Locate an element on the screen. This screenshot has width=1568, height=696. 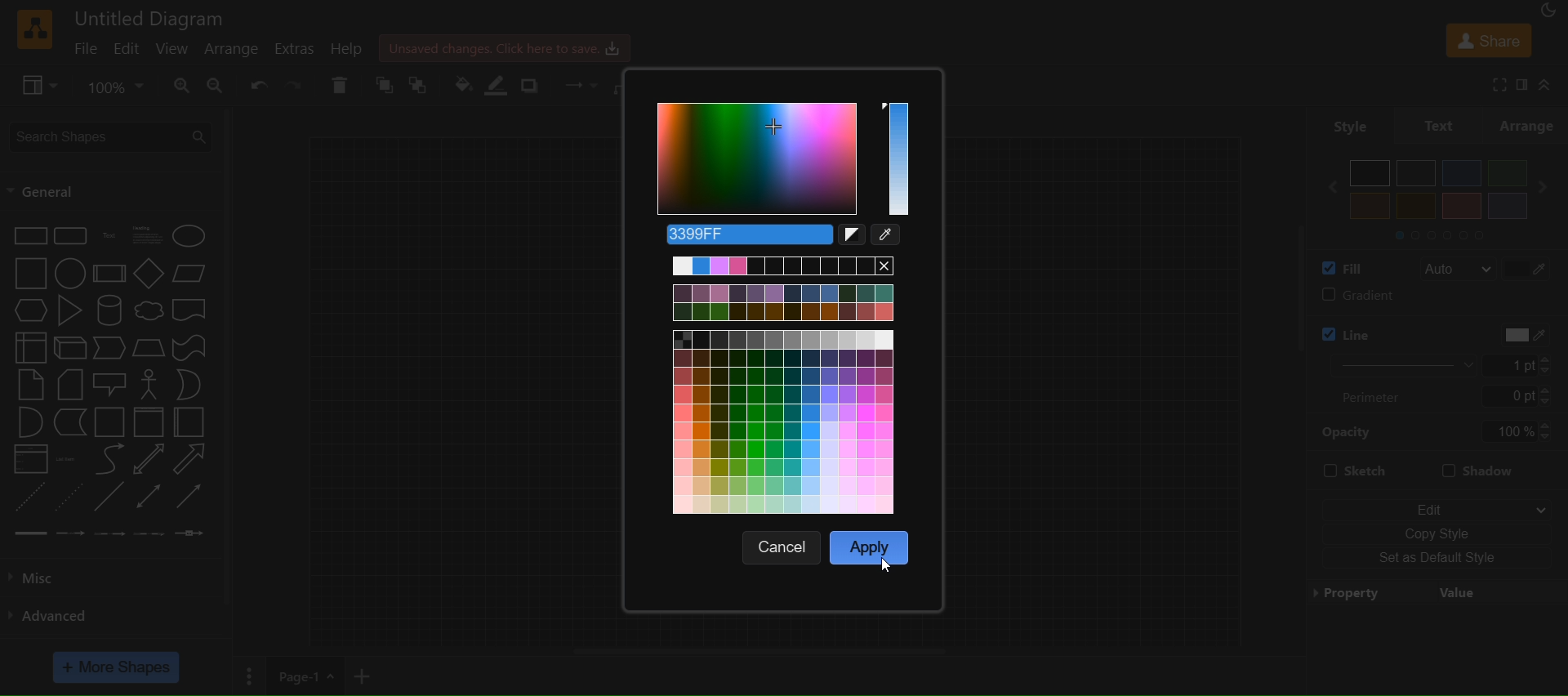
rounded rectangle is located at coordinates (69, 236).